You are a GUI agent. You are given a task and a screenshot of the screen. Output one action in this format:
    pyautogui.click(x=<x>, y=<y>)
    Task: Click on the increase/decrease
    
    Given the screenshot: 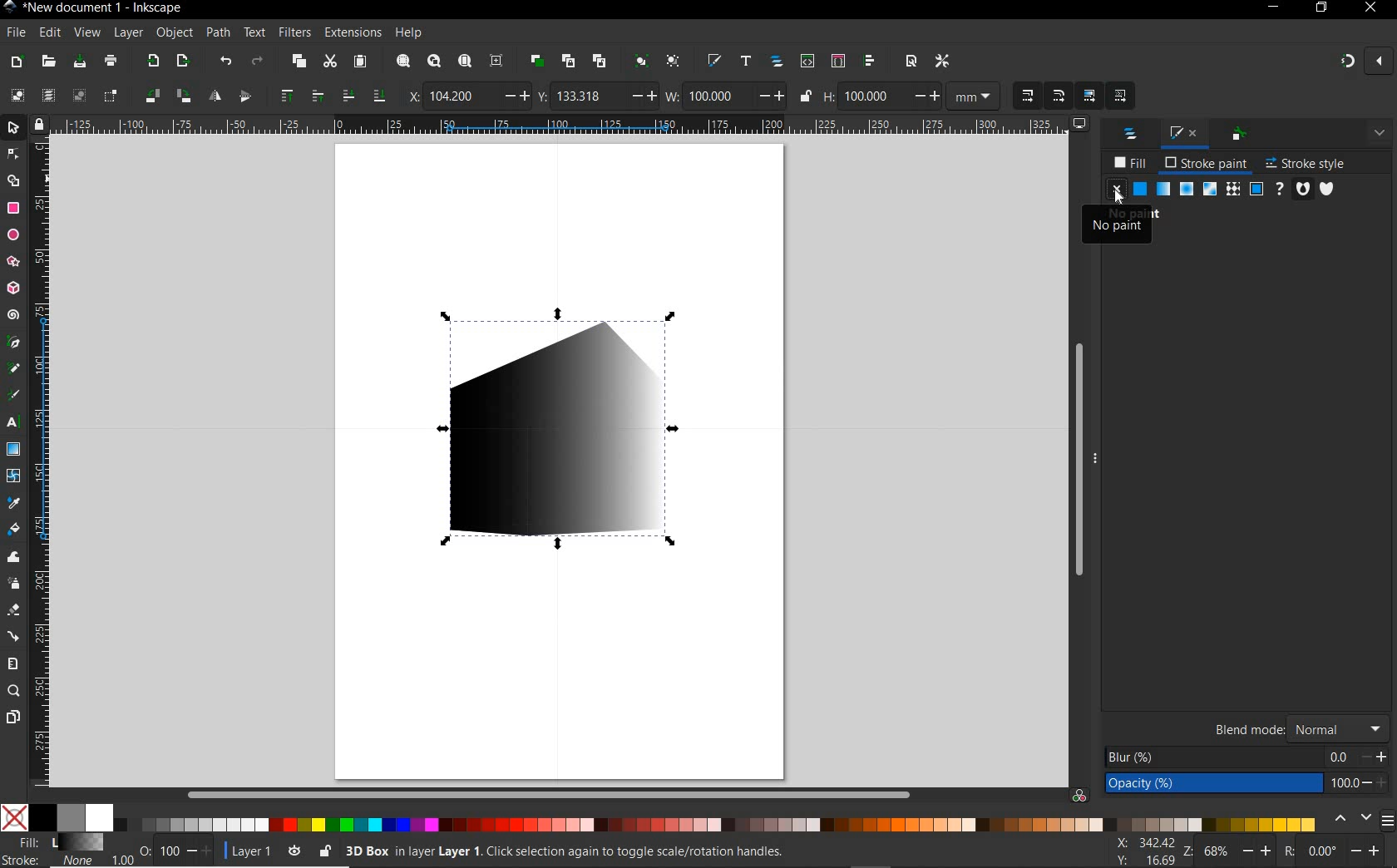 What is the action you would take?
    pyautogui.click(x=772, y=96)
    